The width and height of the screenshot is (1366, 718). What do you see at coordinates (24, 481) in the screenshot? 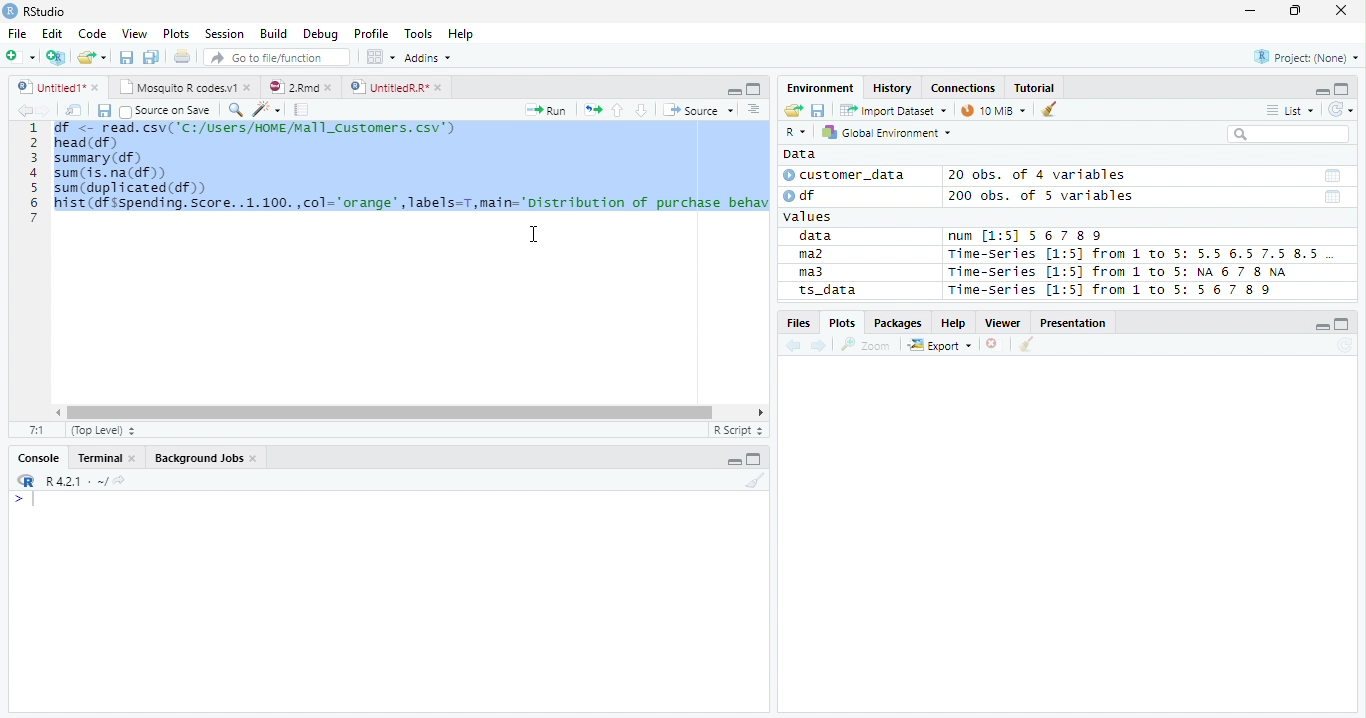
I see `R` at bounding box center [24, 481].